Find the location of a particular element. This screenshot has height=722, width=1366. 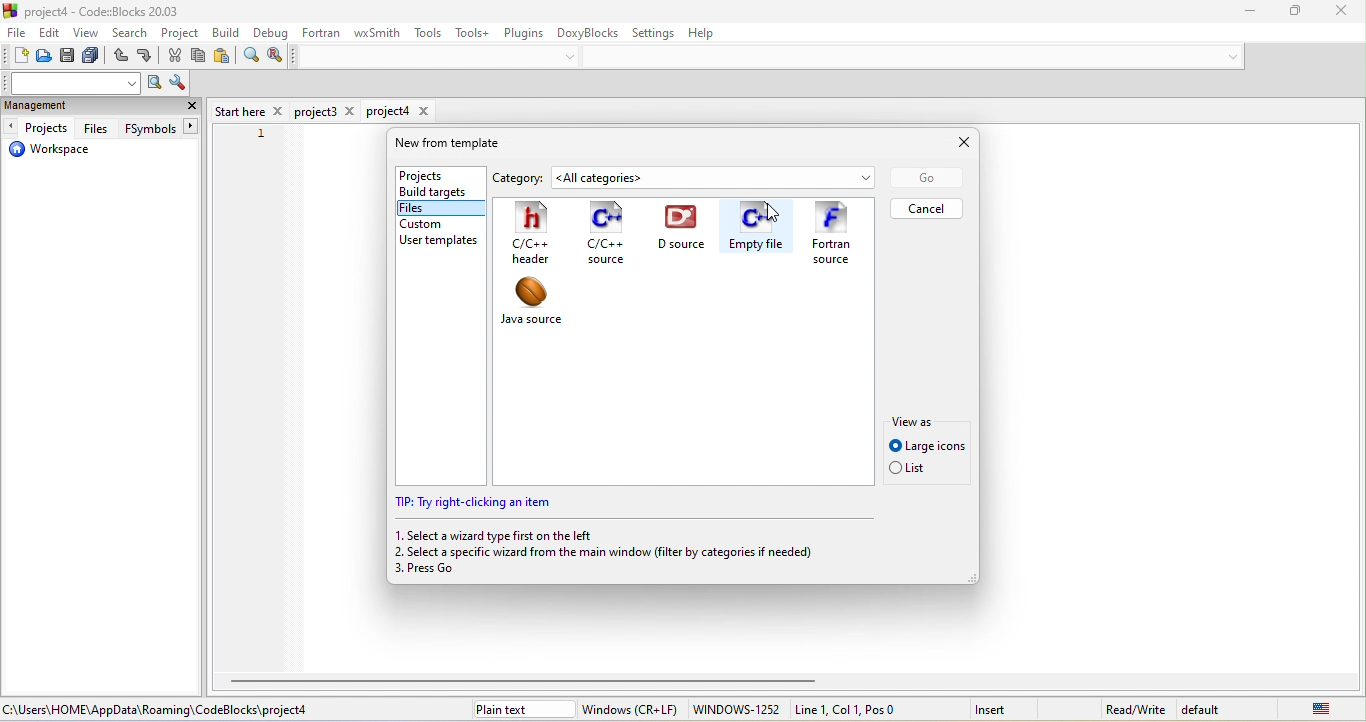

close is located at coordinates (952, 143).